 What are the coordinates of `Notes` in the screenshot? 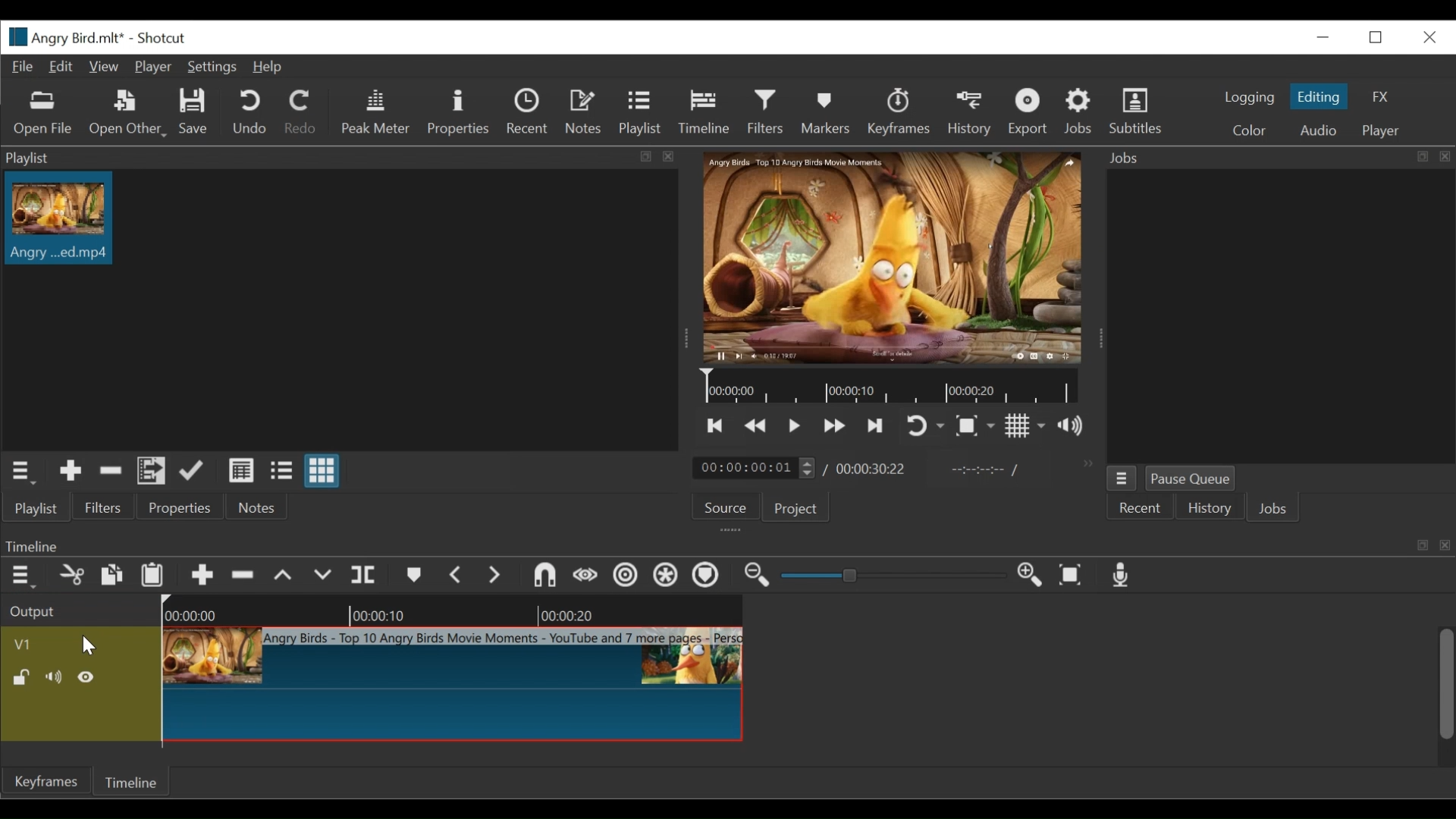 It's located at (254, 507).